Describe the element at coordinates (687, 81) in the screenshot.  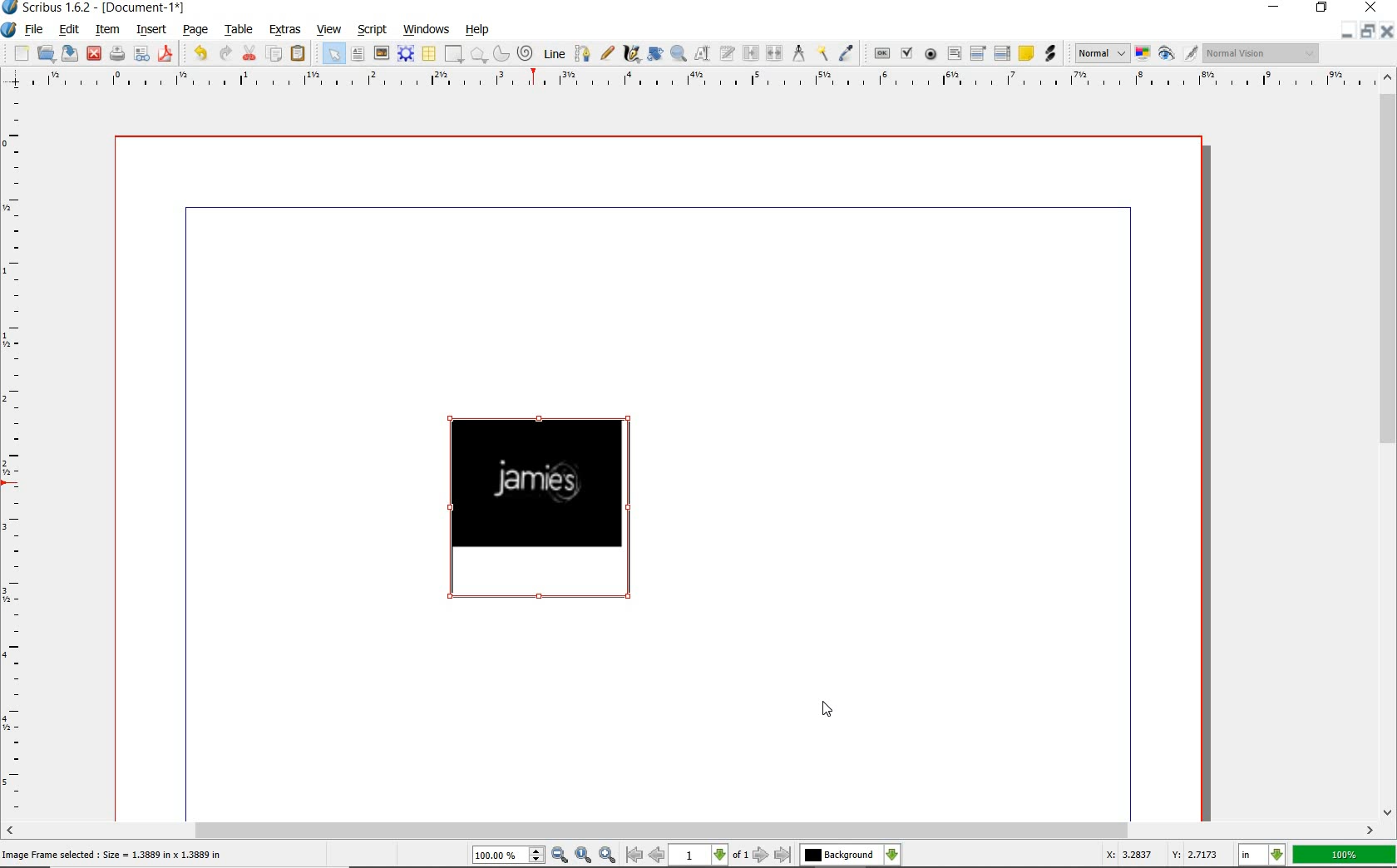
I see `ruler` at that location.